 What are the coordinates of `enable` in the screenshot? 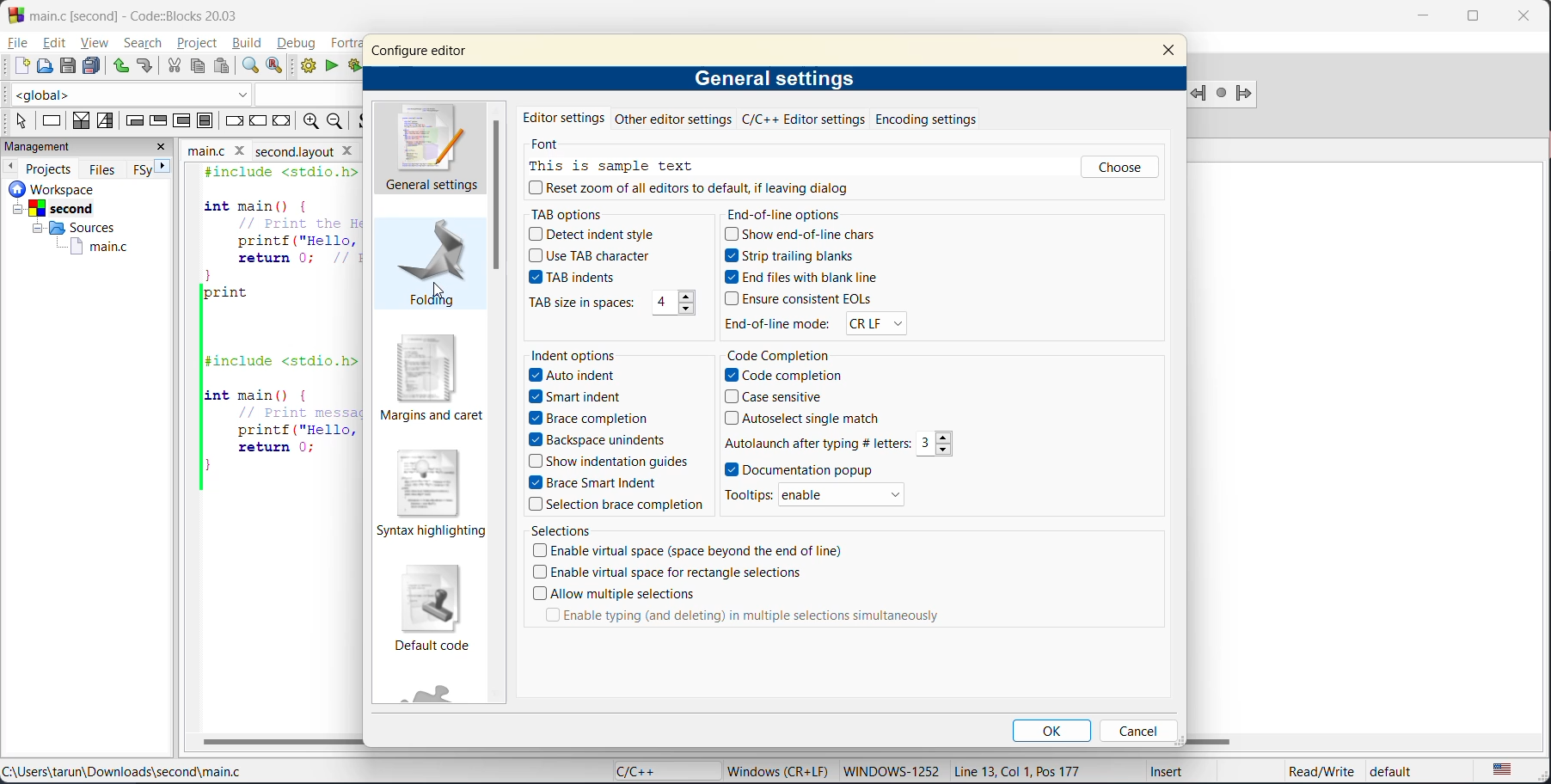 It's located at (854, 493).